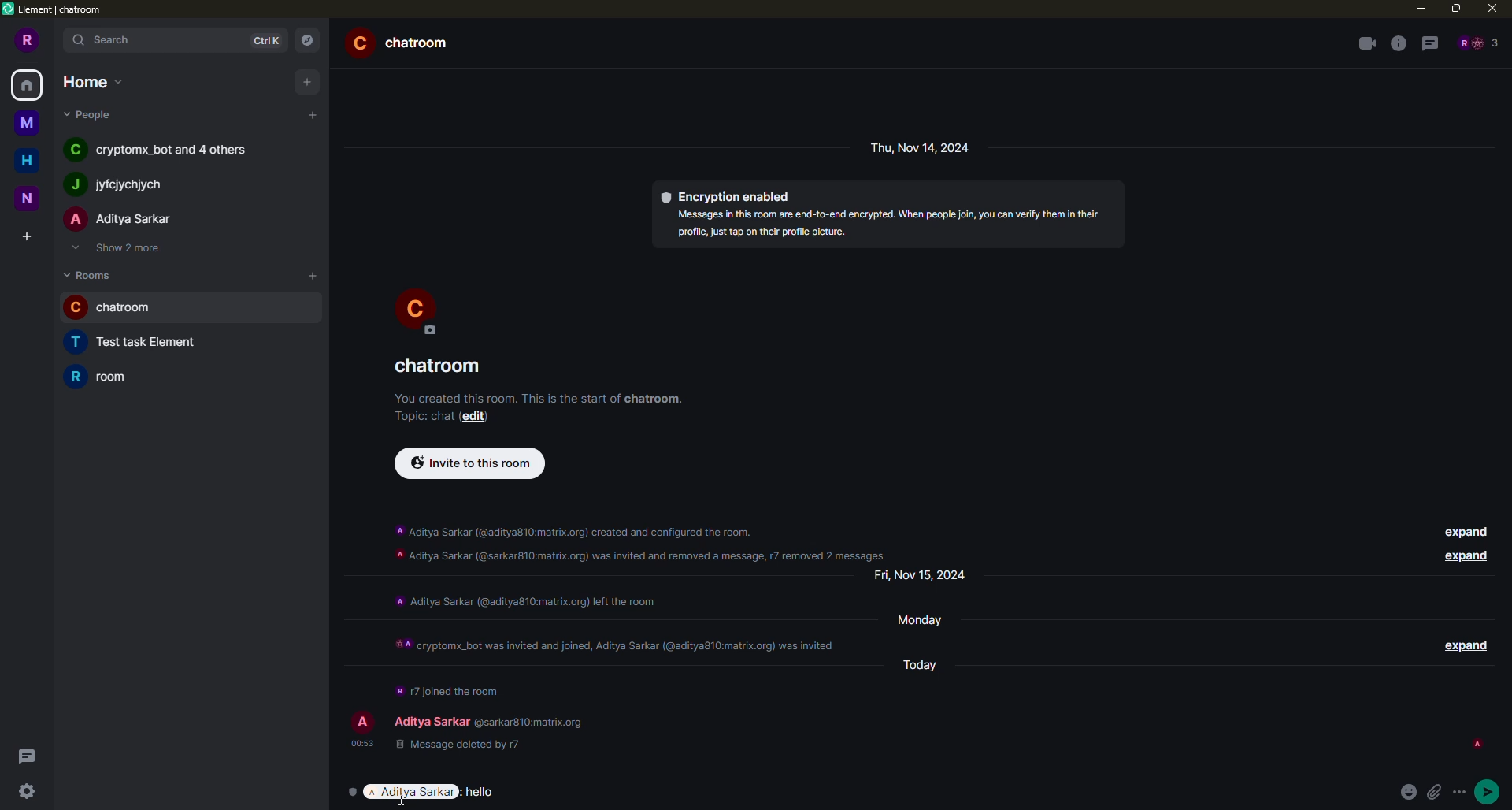 The width and height of the screenshot is (1512, 810). What do you see at coordinates (728, 195) in the screenshot?
I see `encryption enabled` at bounding box center [728, 195].